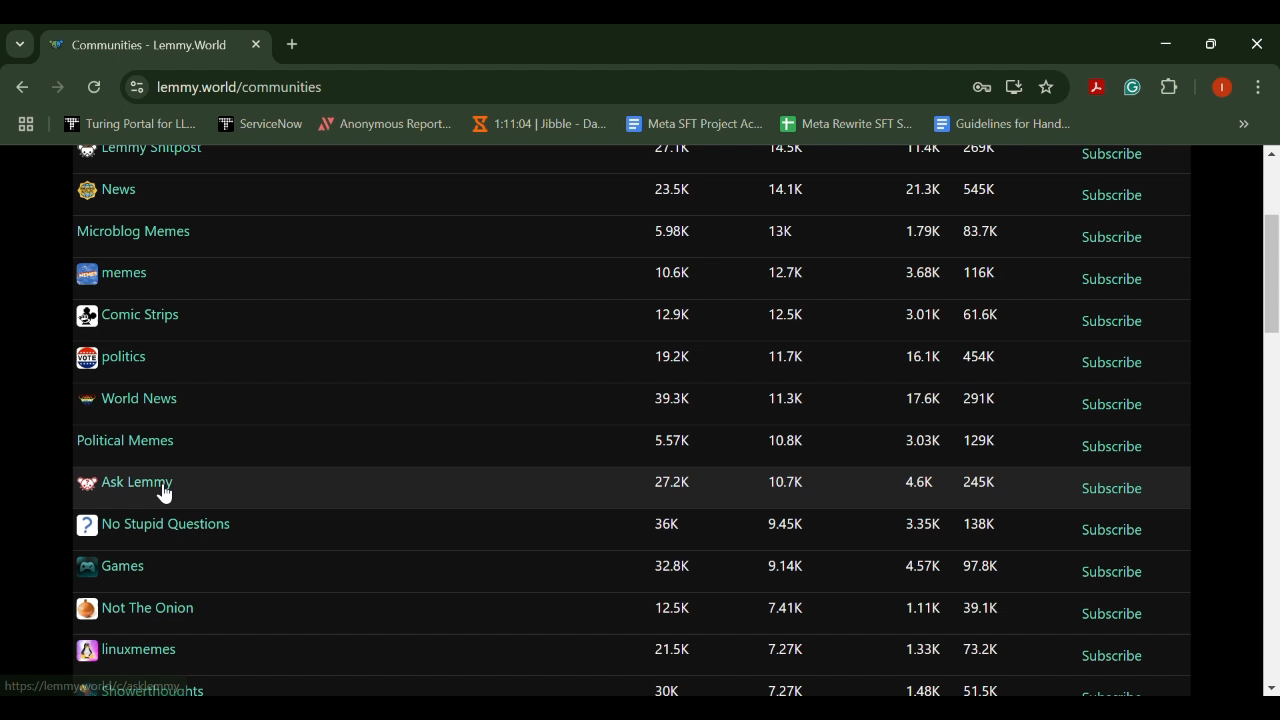 The width and height of the screenshot is (1280, 720). I want to click on Communities - Lemmy.World, so click(138, 46).